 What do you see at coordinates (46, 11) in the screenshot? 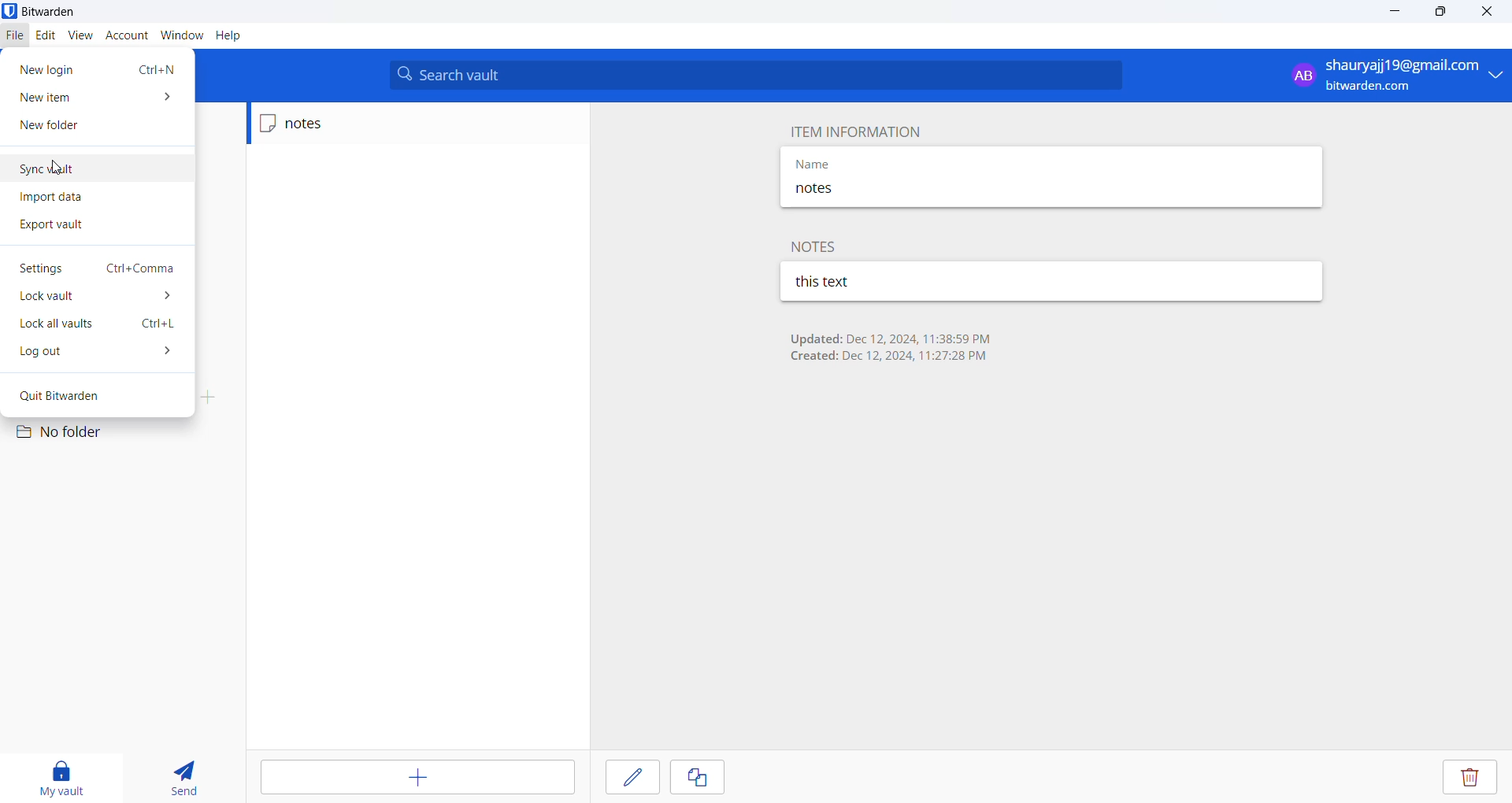
I see `bitwarden` at bounding box center [46, 11].